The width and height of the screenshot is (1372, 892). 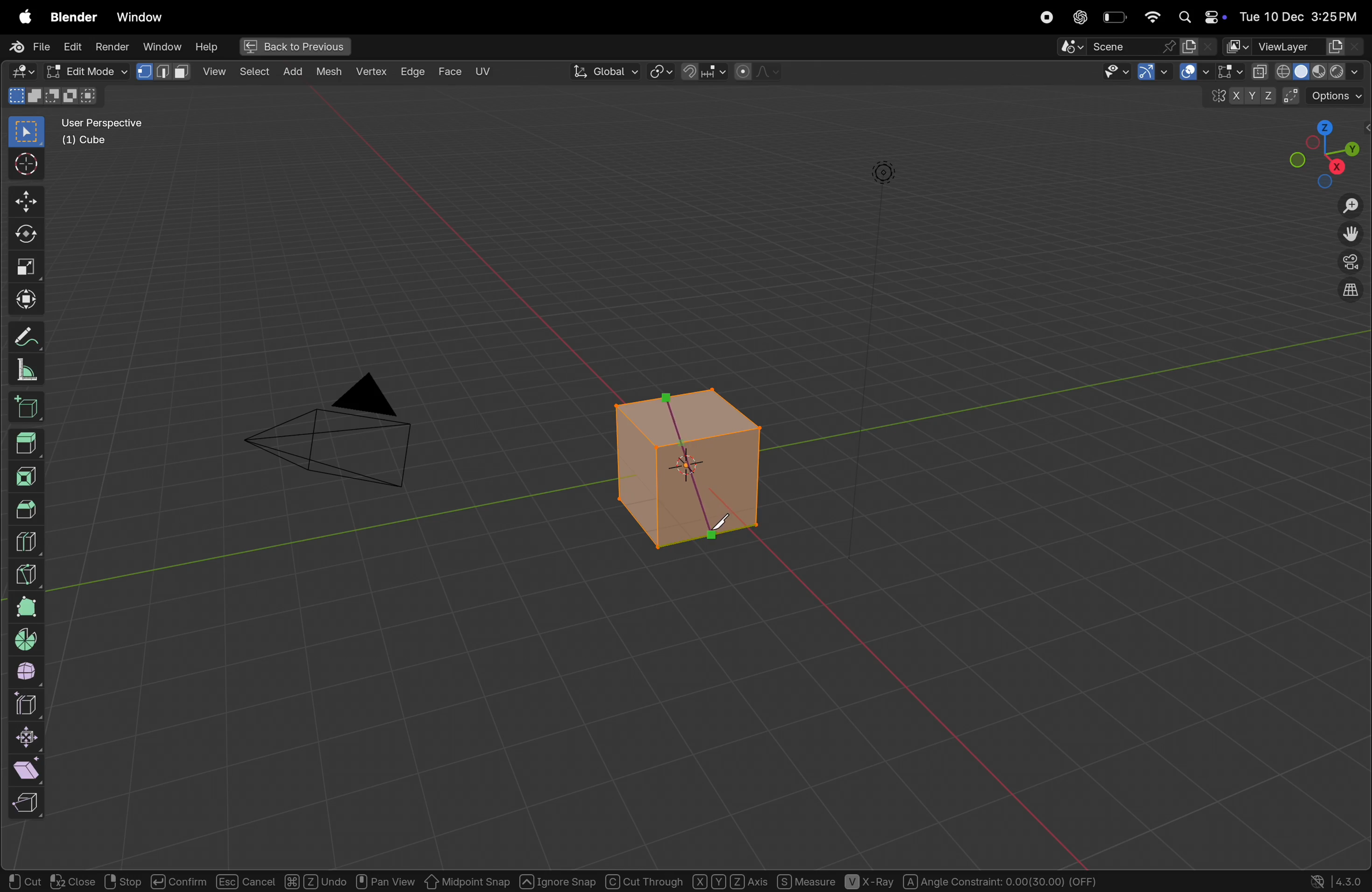 What do you see at coordinates (27, 572) in the screenshot?
I see `knife` at bounding box center [27, 572].